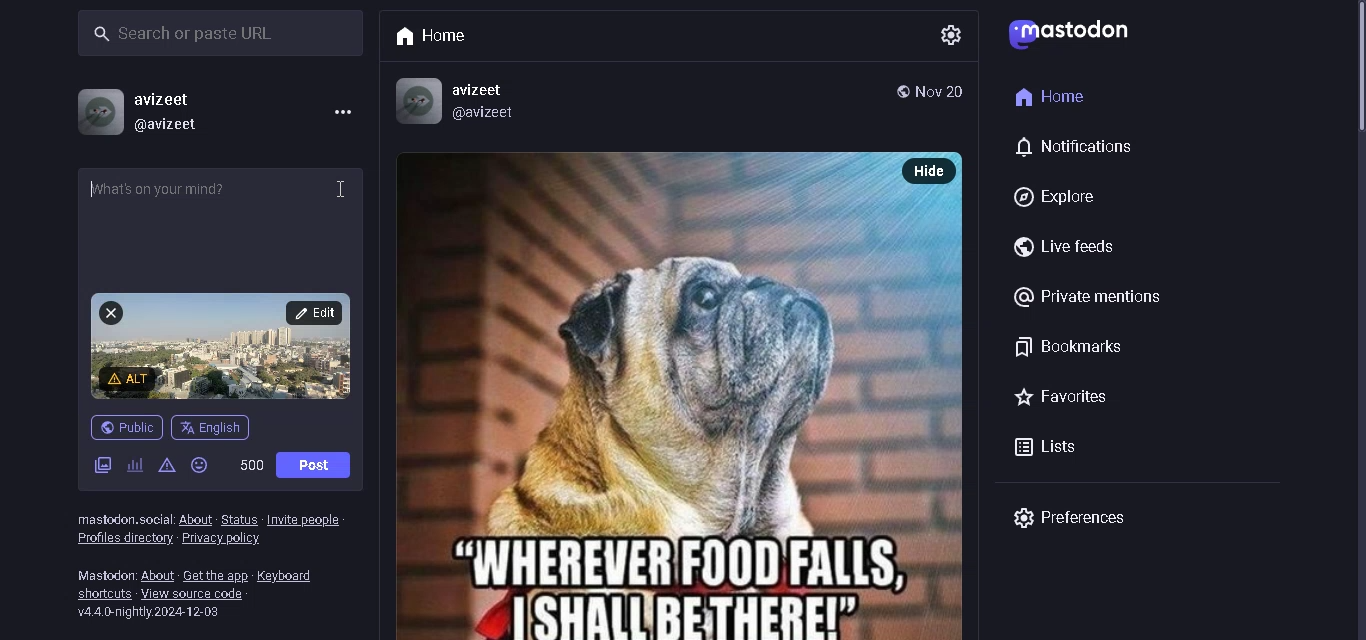  I want to click on public post, so click(899, 90).